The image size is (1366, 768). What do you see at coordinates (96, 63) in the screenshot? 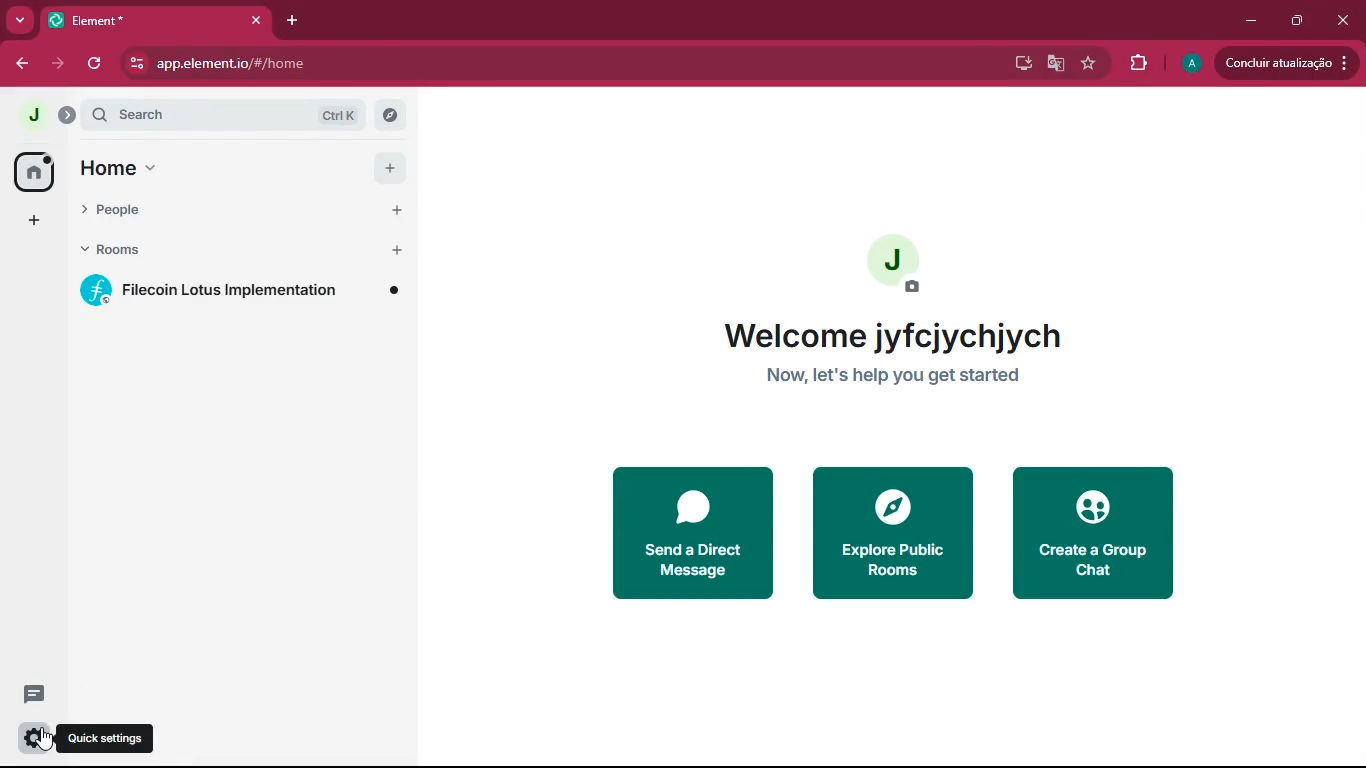
I see `refresh` at bounding box center [96, 63].